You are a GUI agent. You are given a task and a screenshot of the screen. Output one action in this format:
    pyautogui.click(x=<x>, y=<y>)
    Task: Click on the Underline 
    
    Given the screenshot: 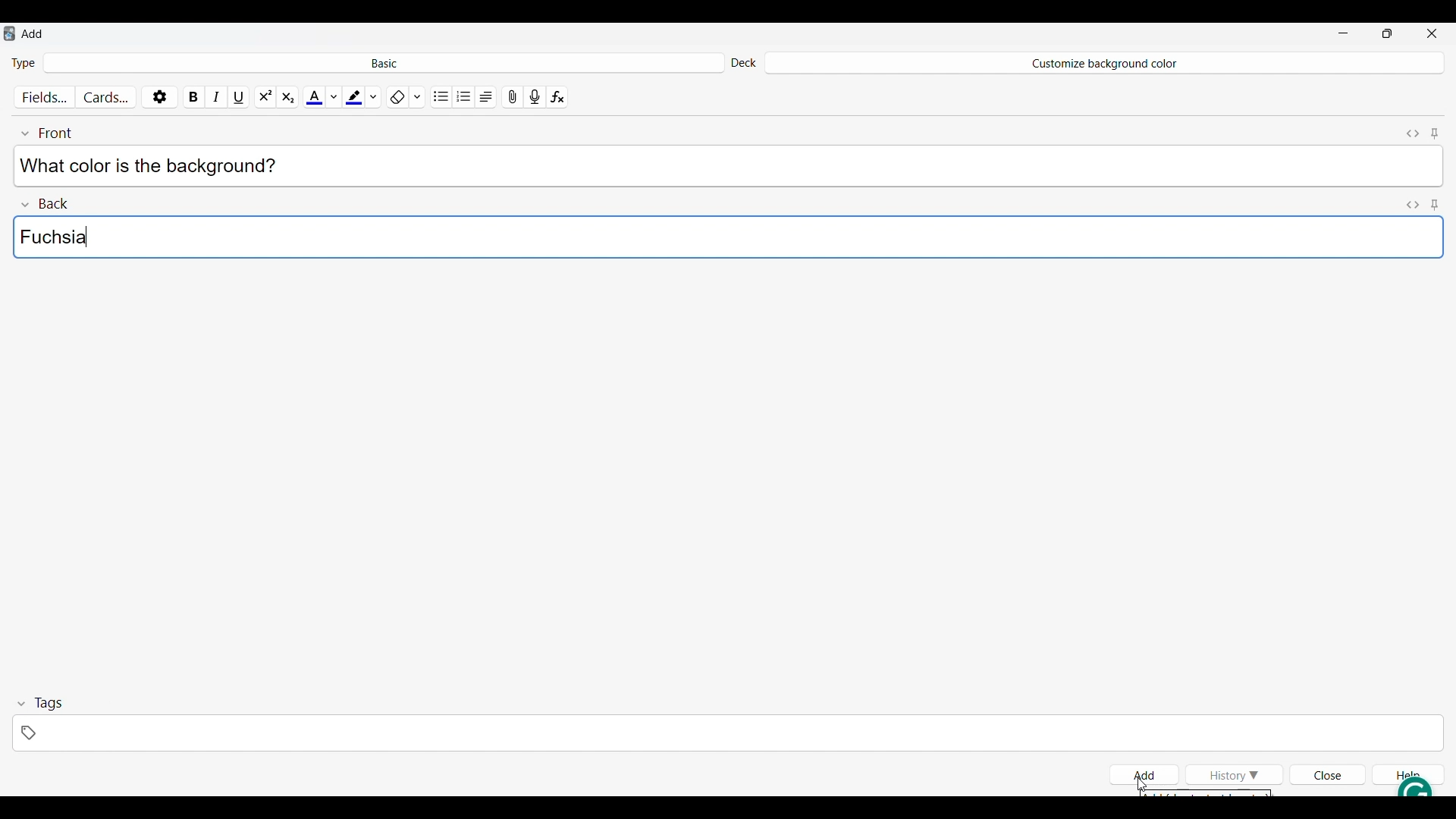 What is the action you would take?
    pyautogui.click(x=240, y=94)
    